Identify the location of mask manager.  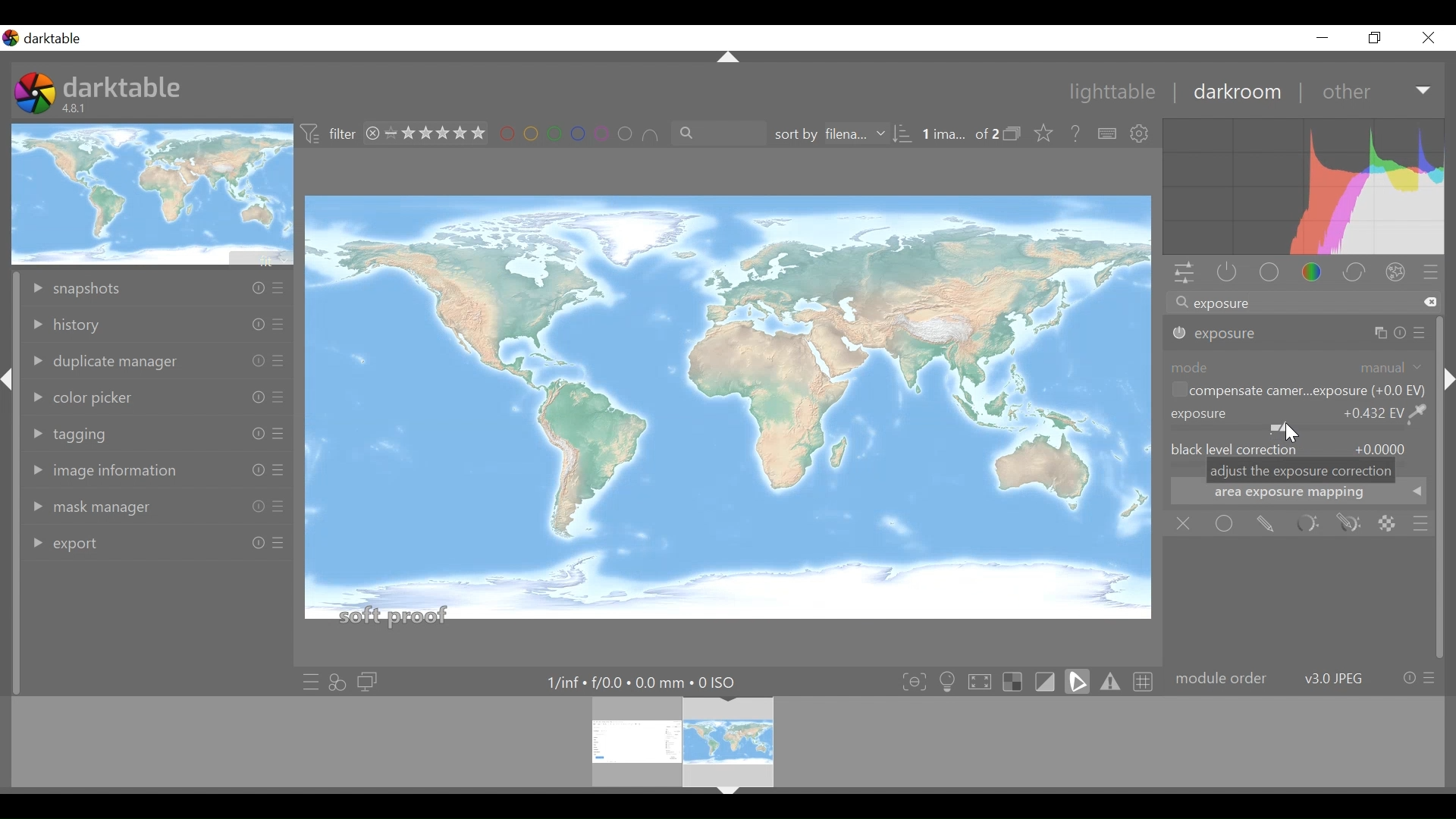
(94, 509).